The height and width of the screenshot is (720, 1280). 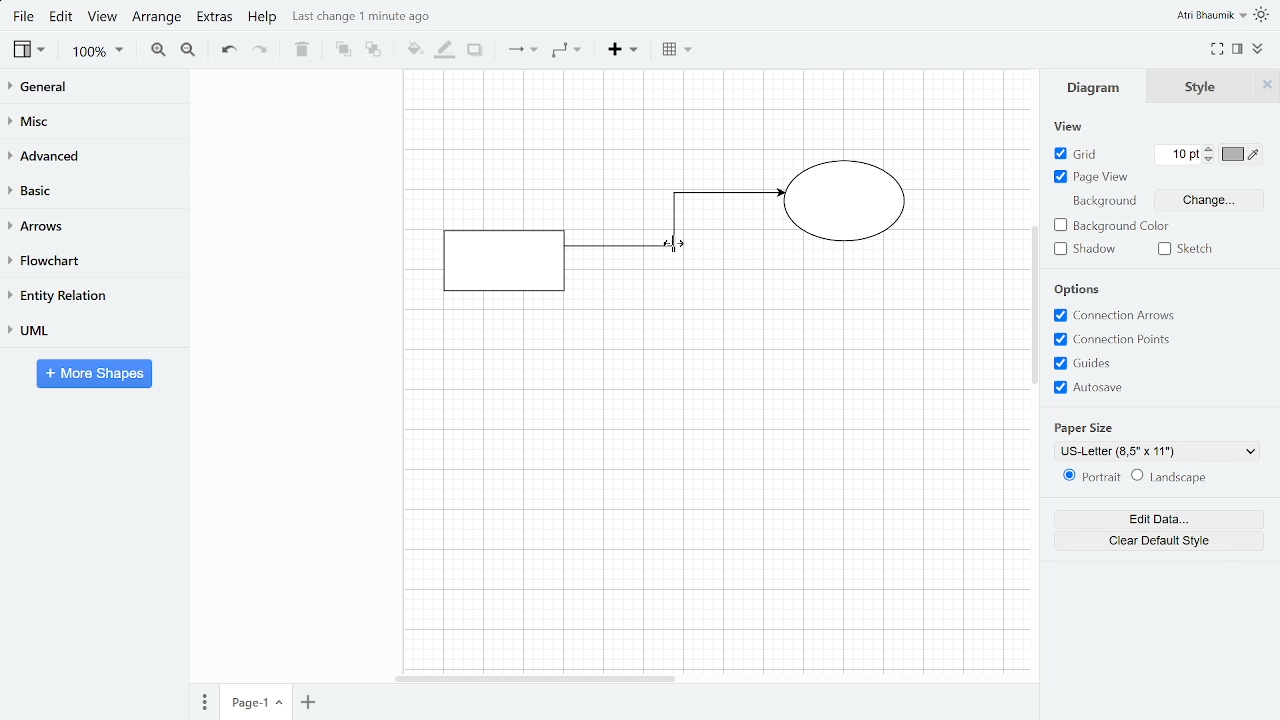 I want to click on Undo, so click(x=227, y=50).